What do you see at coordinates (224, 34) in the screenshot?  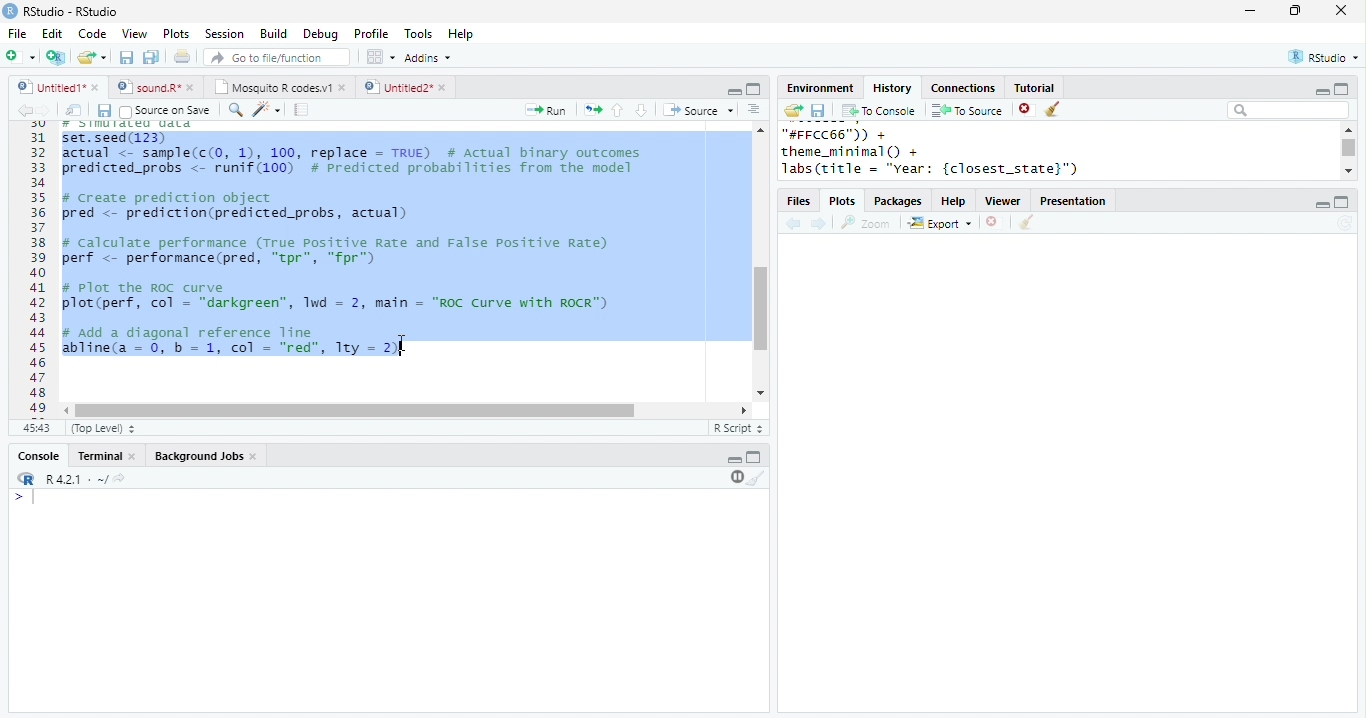 I see `Session` at bounding box center [224, 34].